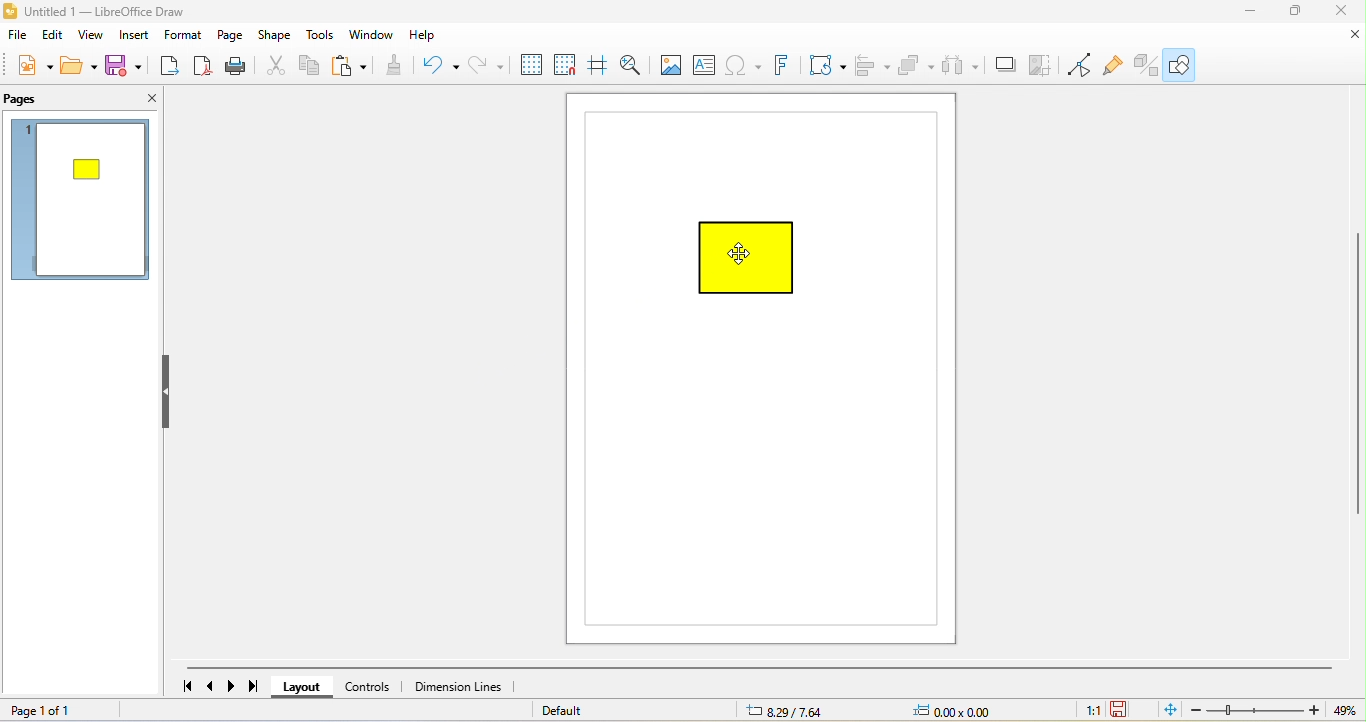  I want to click on export direct as pdf, so click(202, 68).